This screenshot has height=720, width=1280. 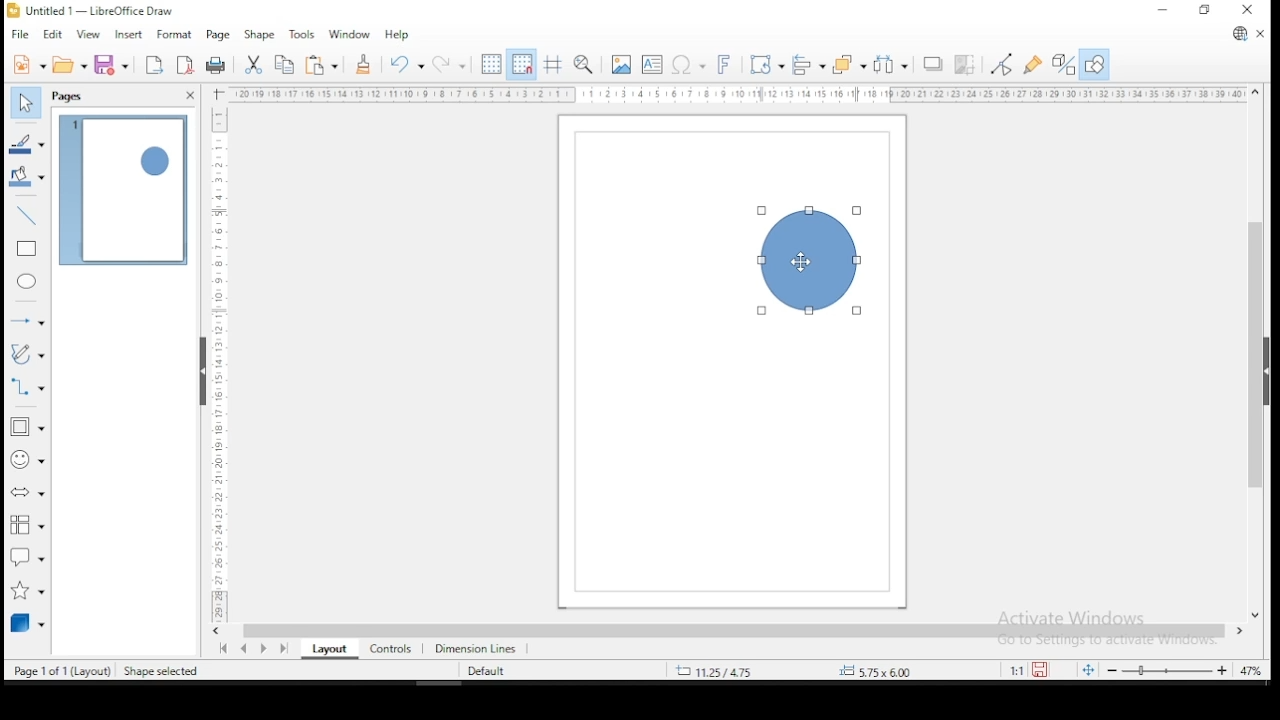 What do you see at coordinates (1260, 32) in the screenshot?
I see `close document` at bounding box center [1260, 32].